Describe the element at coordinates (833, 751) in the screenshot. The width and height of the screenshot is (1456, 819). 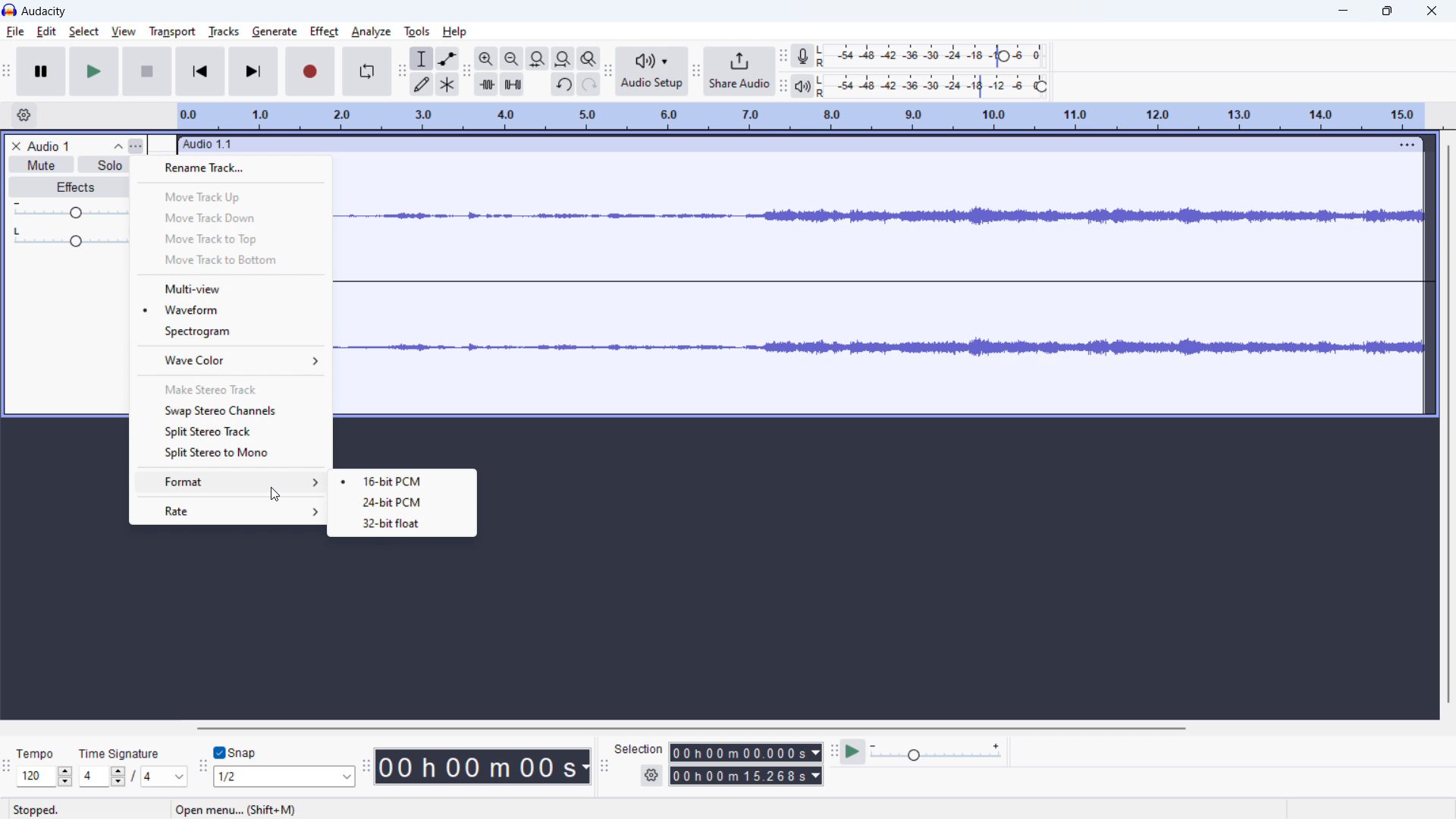
I see `play at speed toolbar` at that location.